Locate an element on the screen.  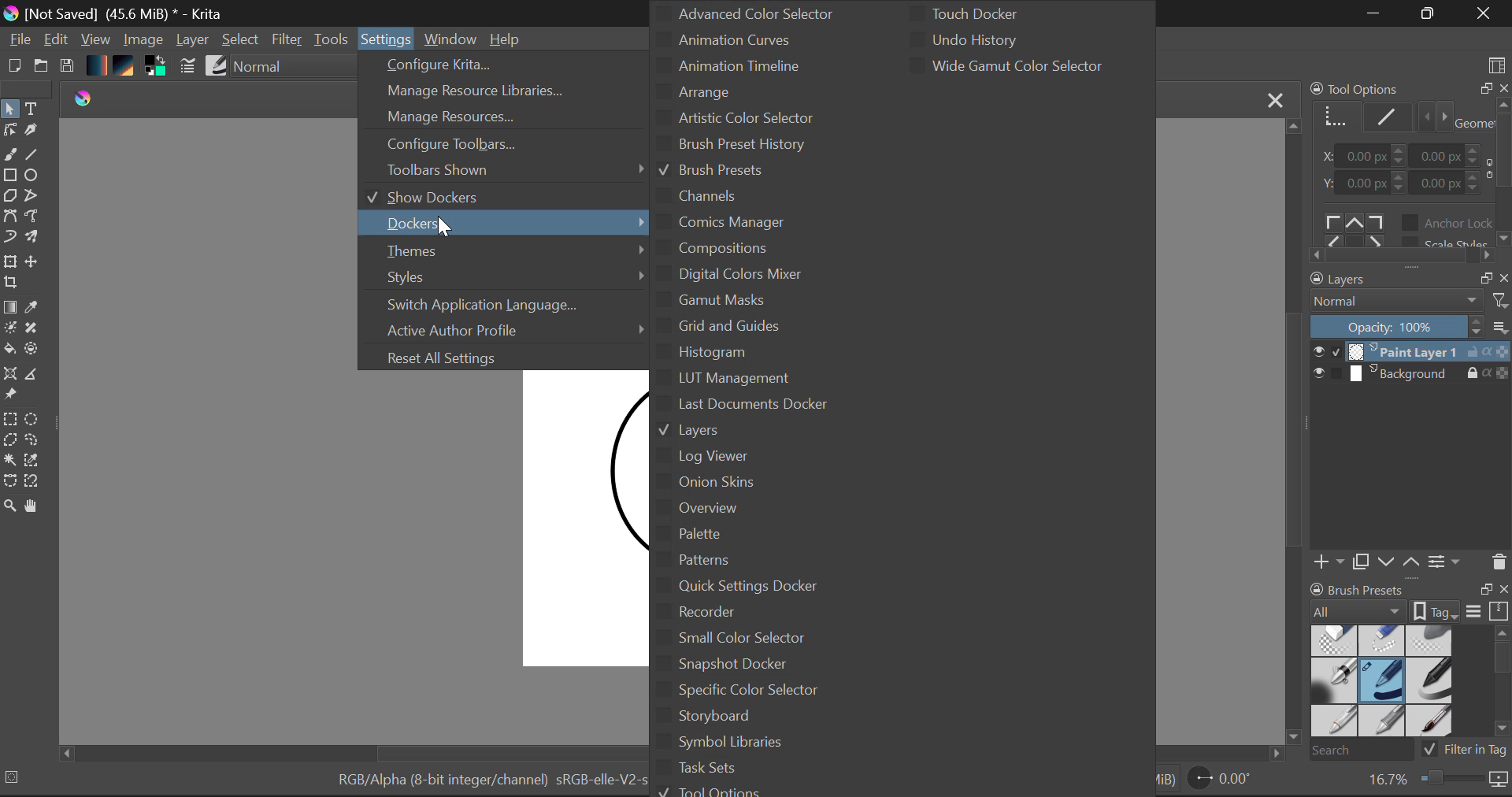
Continuous Selection is located at coordinates (9, 462).